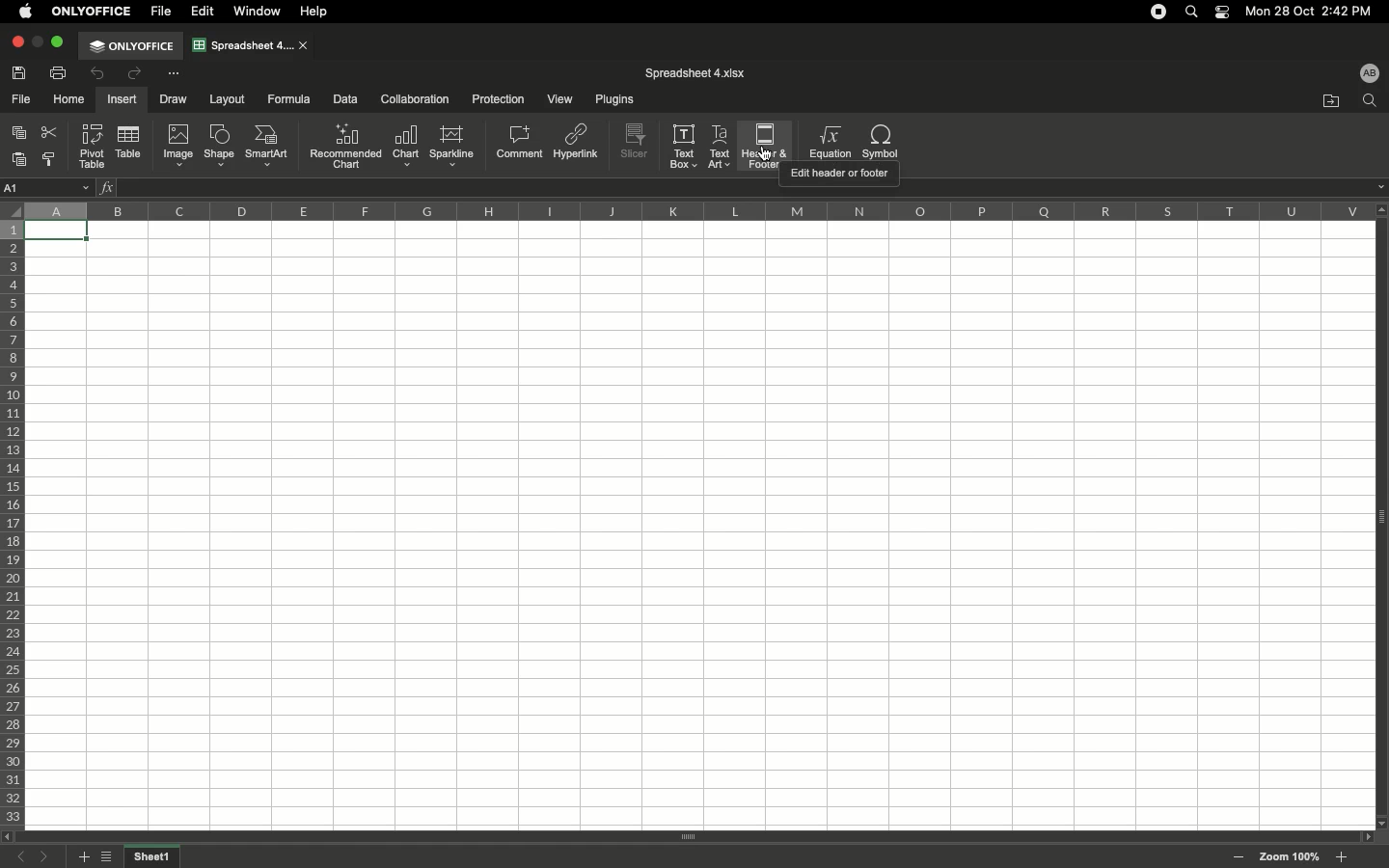  I want to click on Previous sheet, so click(25, 858).